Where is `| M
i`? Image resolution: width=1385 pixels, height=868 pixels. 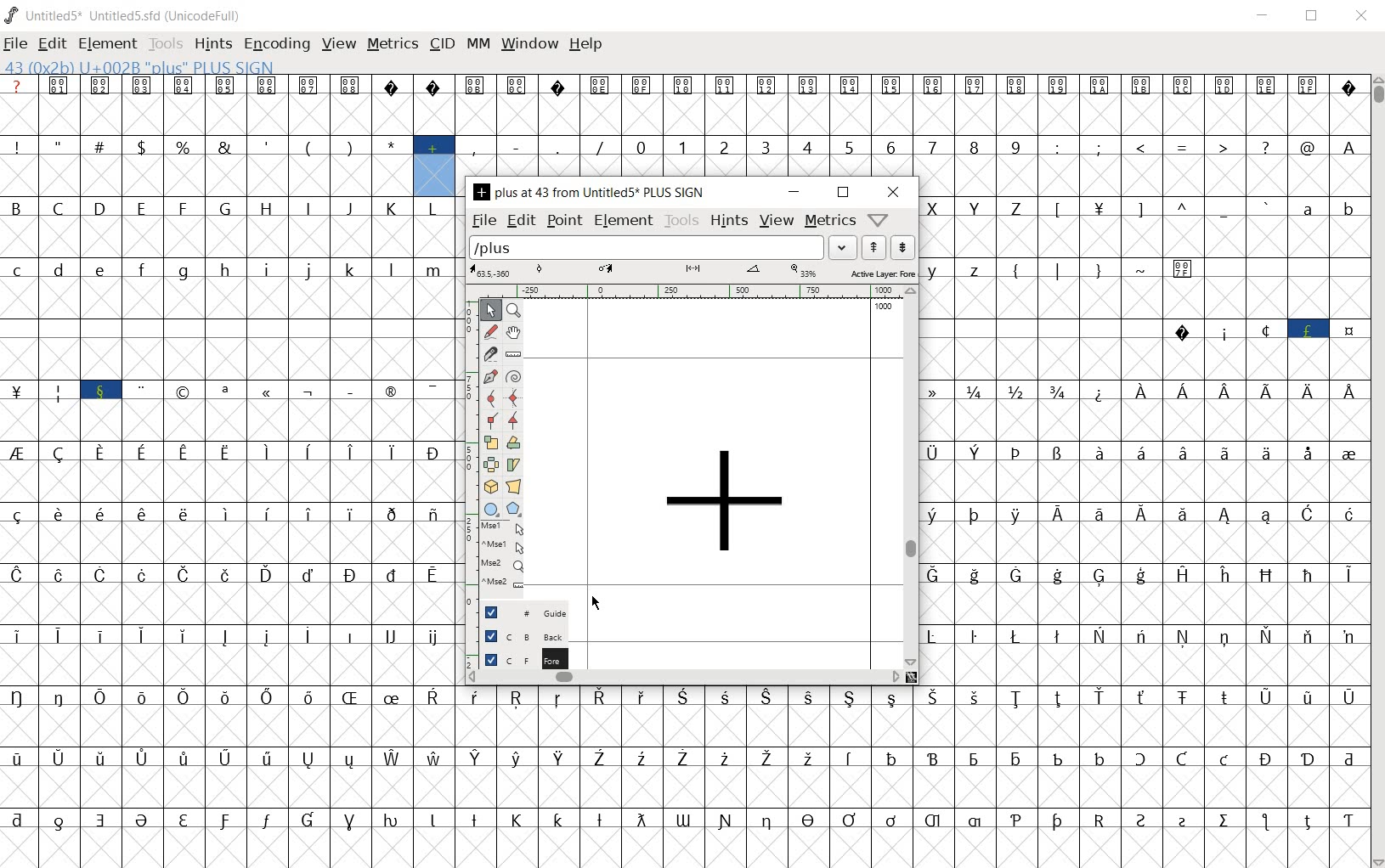 | M
i is located at coordinates (18, 413).